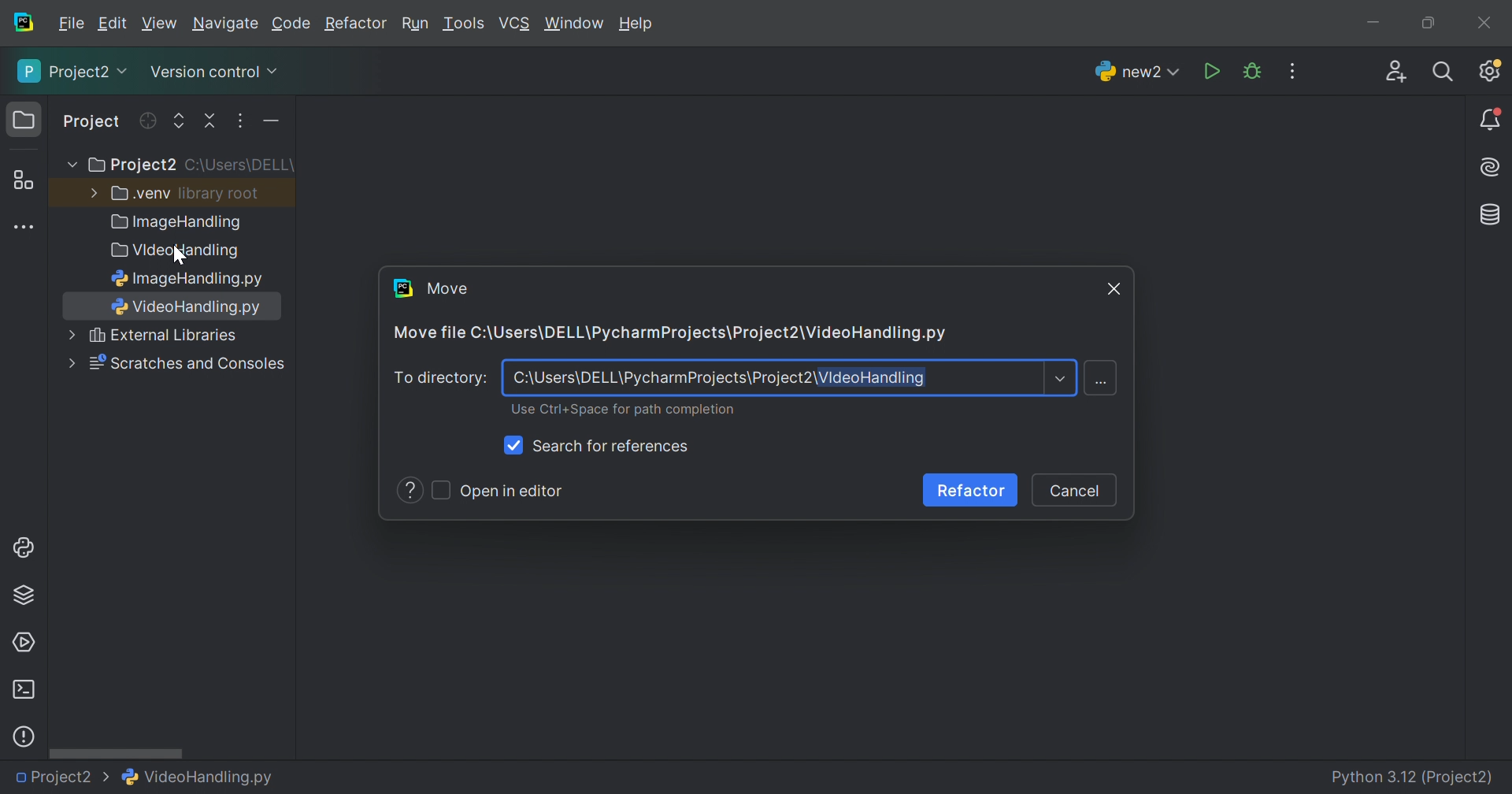  What do you see at coordinates (141, 194) in the screenshot?
I see `.venv` at bounding box center [141, 194].